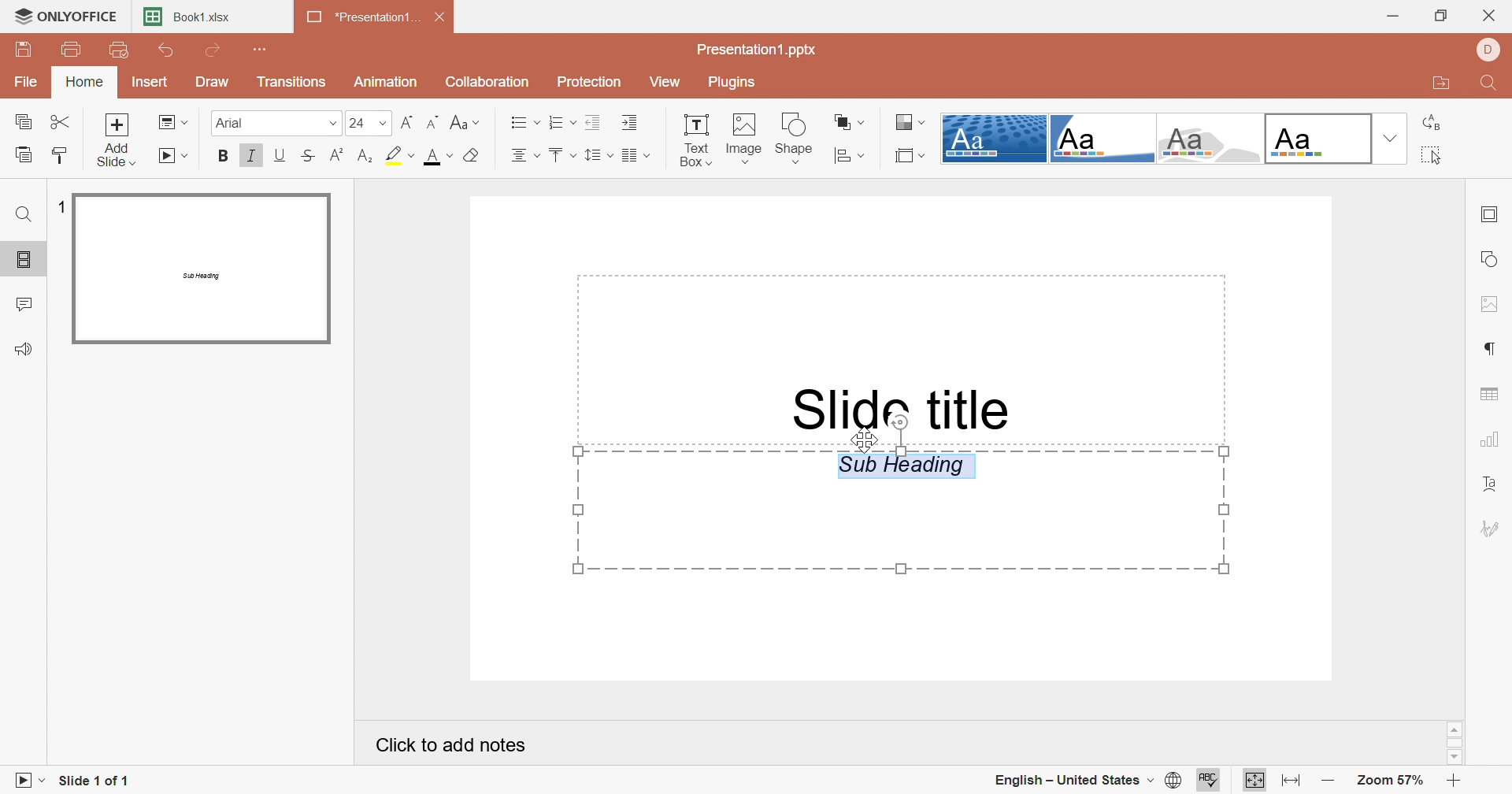 Image resolution: width=1512 pixels, height=794 pixels. I want to click on Scroll Bar, so click(1454, 741).